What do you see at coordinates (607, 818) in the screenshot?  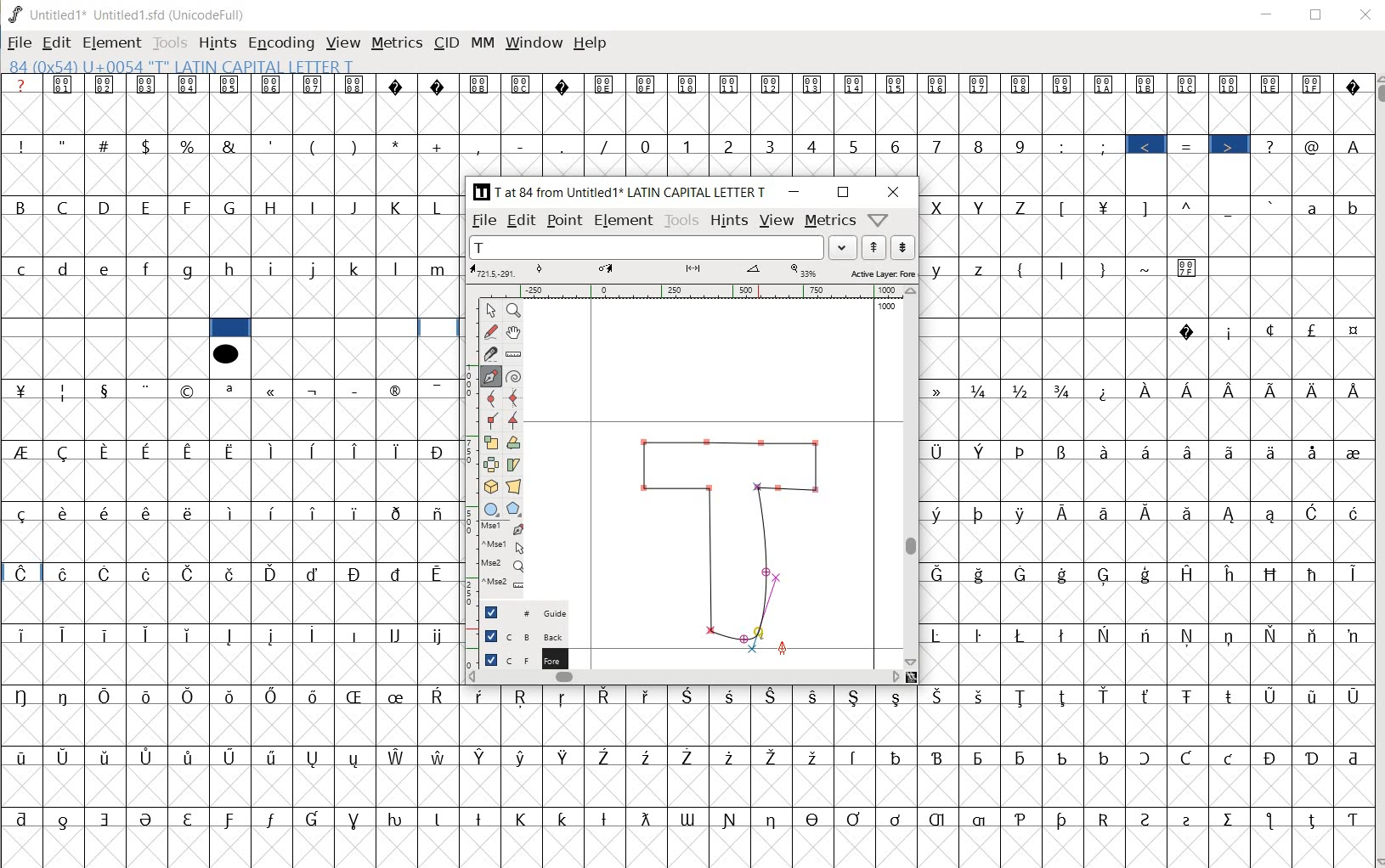 I see `Symbol` at bounding box center [607, 818].